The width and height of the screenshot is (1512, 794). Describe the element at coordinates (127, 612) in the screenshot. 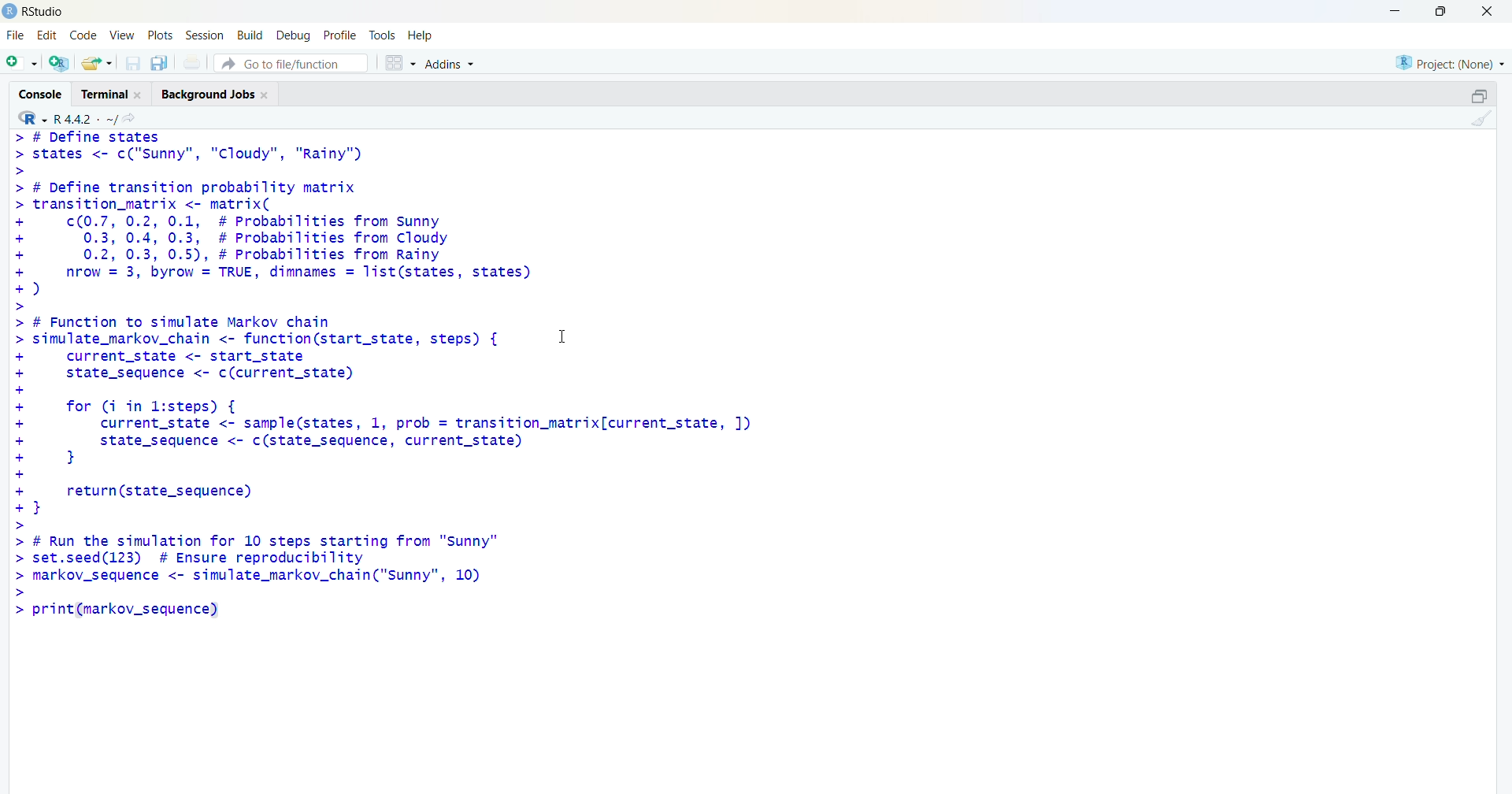

I see `> print(markov_sequence)` at that location.